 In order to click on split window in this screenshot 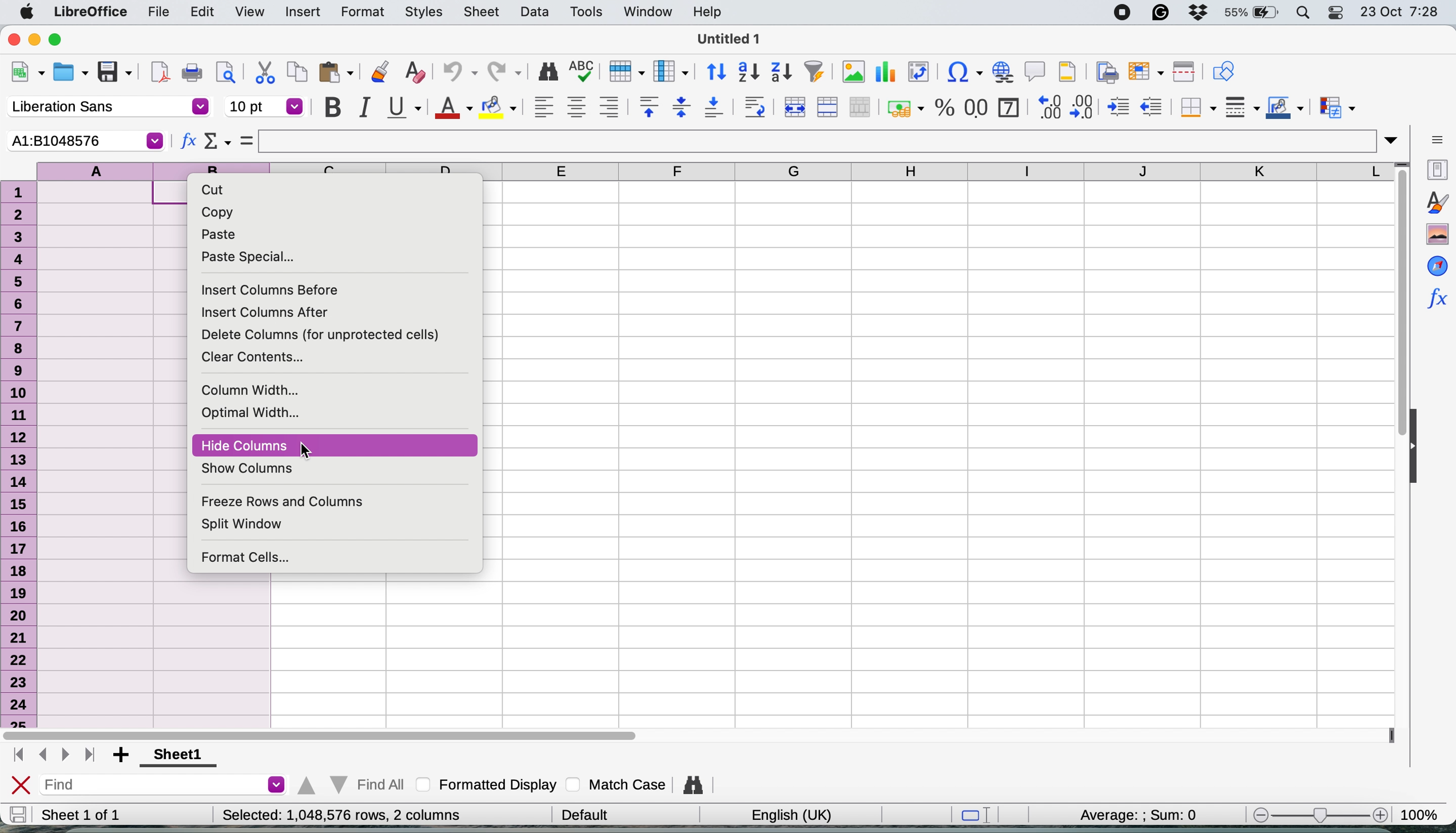, I will do `click(1186, 72)`.